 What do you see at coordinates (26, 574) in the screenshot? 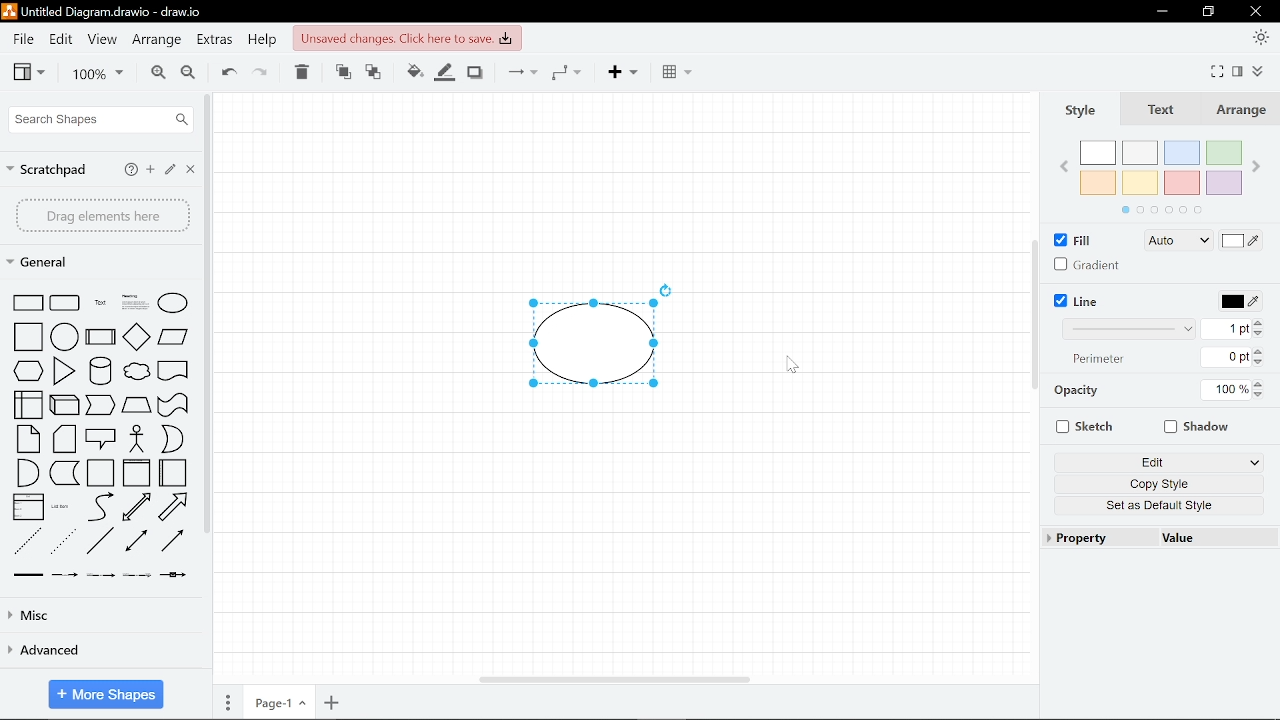
I see `link` at bounding box center [26, 574].